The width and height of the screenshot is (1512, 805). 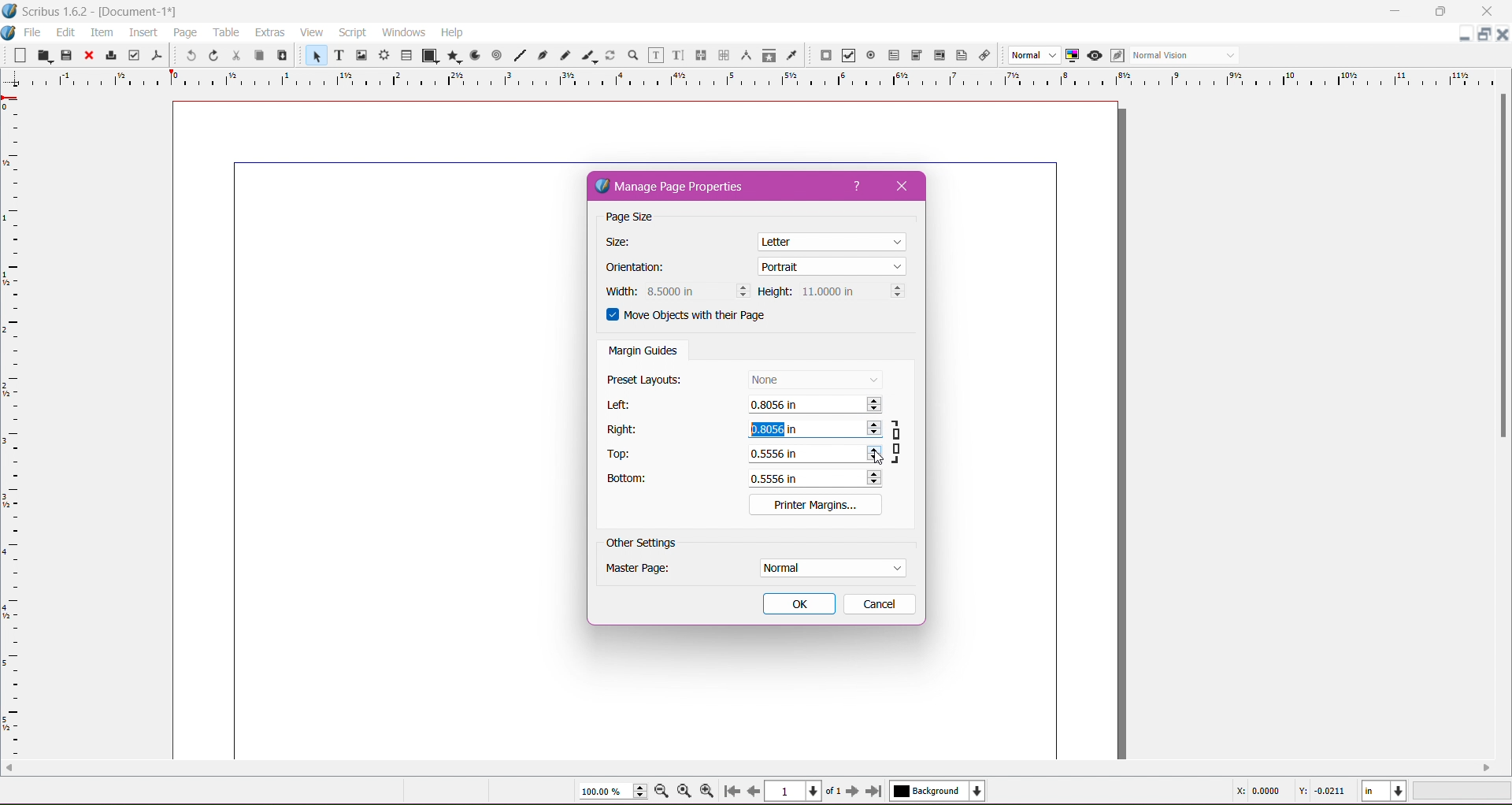 I want to click on Set right margin, so click(x=813, y=430).